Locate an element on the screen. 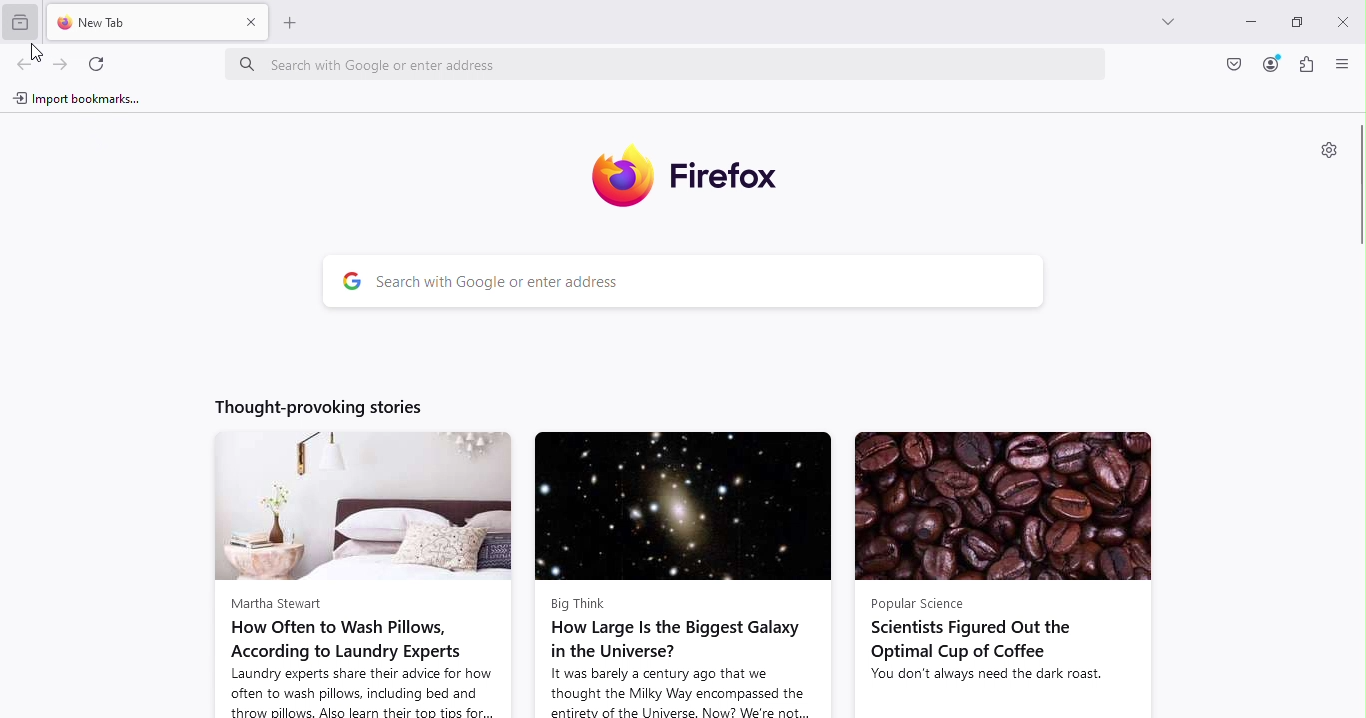  Thought-provoking stories is located at coordinates (313, 410).